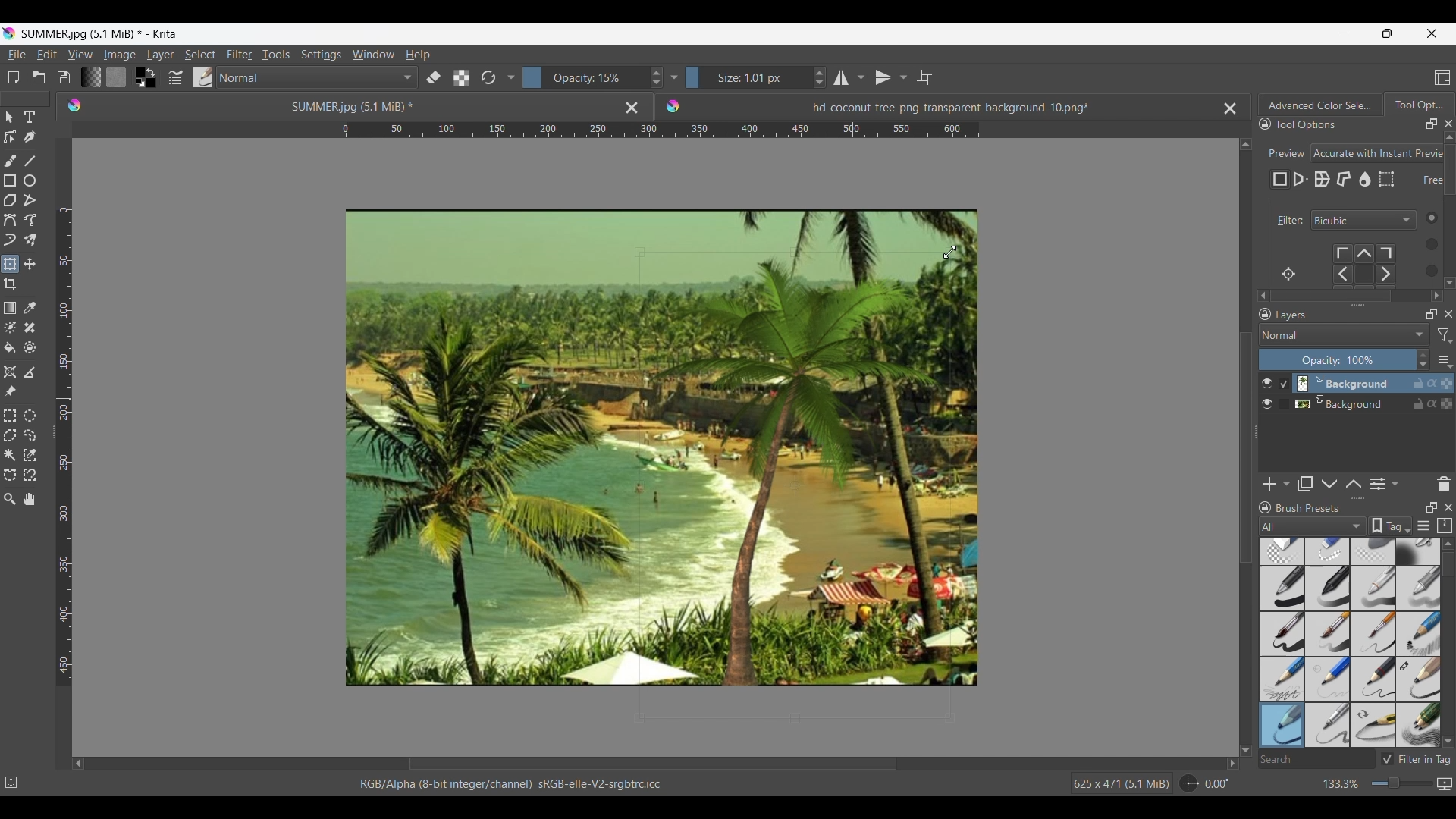 The width and height of the screenshot is (1456, 819). What do you see at coordinates (1442, 77) in the screenshot?
I see `Choose workspace` at bounding box center [1442, 77].